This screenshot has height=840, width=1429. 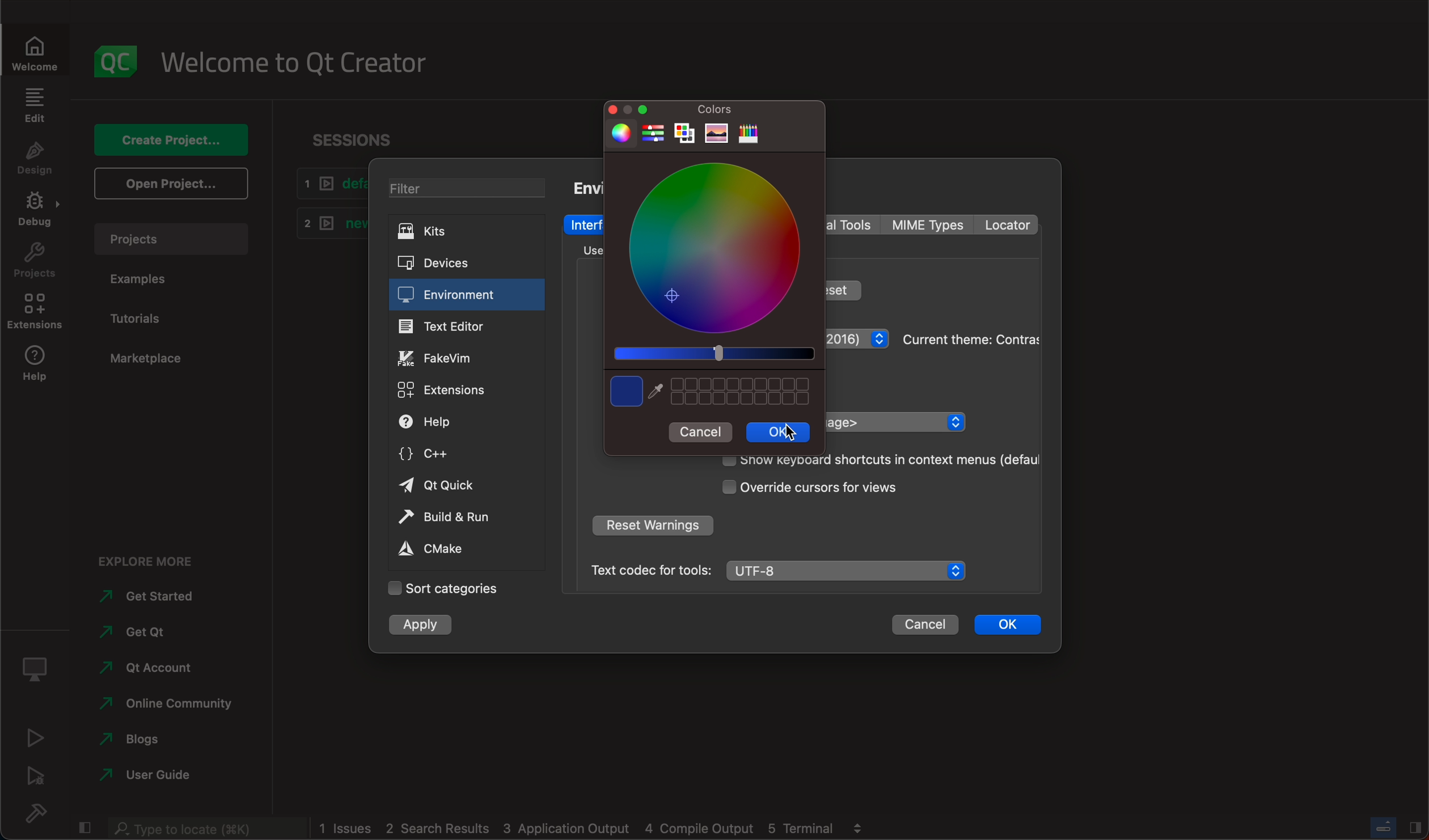 What do you see at coordinates (467, 325) in the screenshot?
I see `text editor` at bounding box center [467, 325].